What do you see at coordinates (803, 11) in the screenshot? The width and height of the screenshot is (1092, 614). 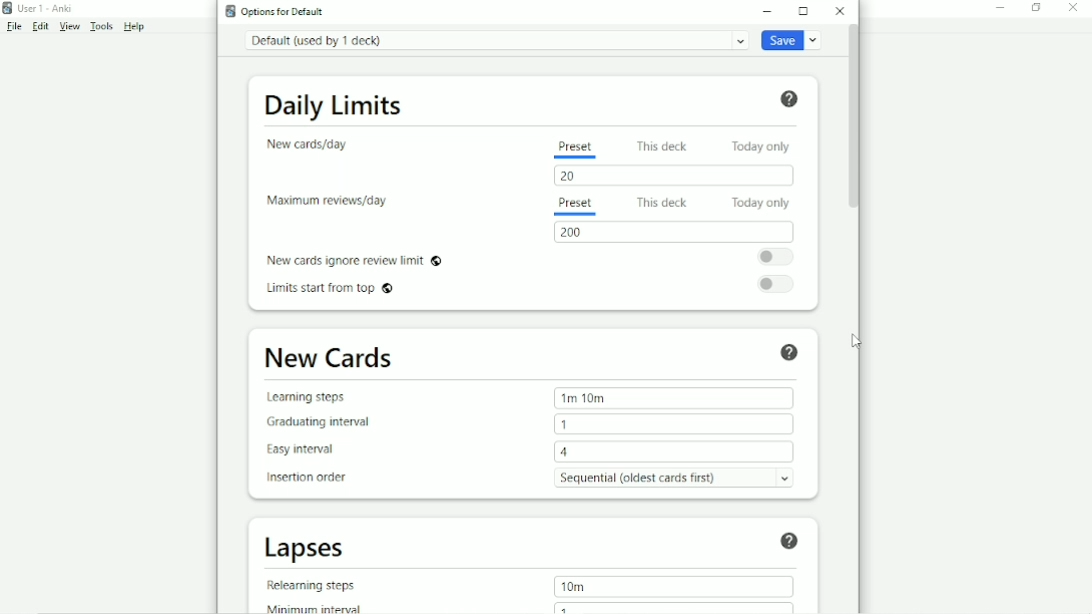 I see `Maximize` at bounding box center [803, 11].